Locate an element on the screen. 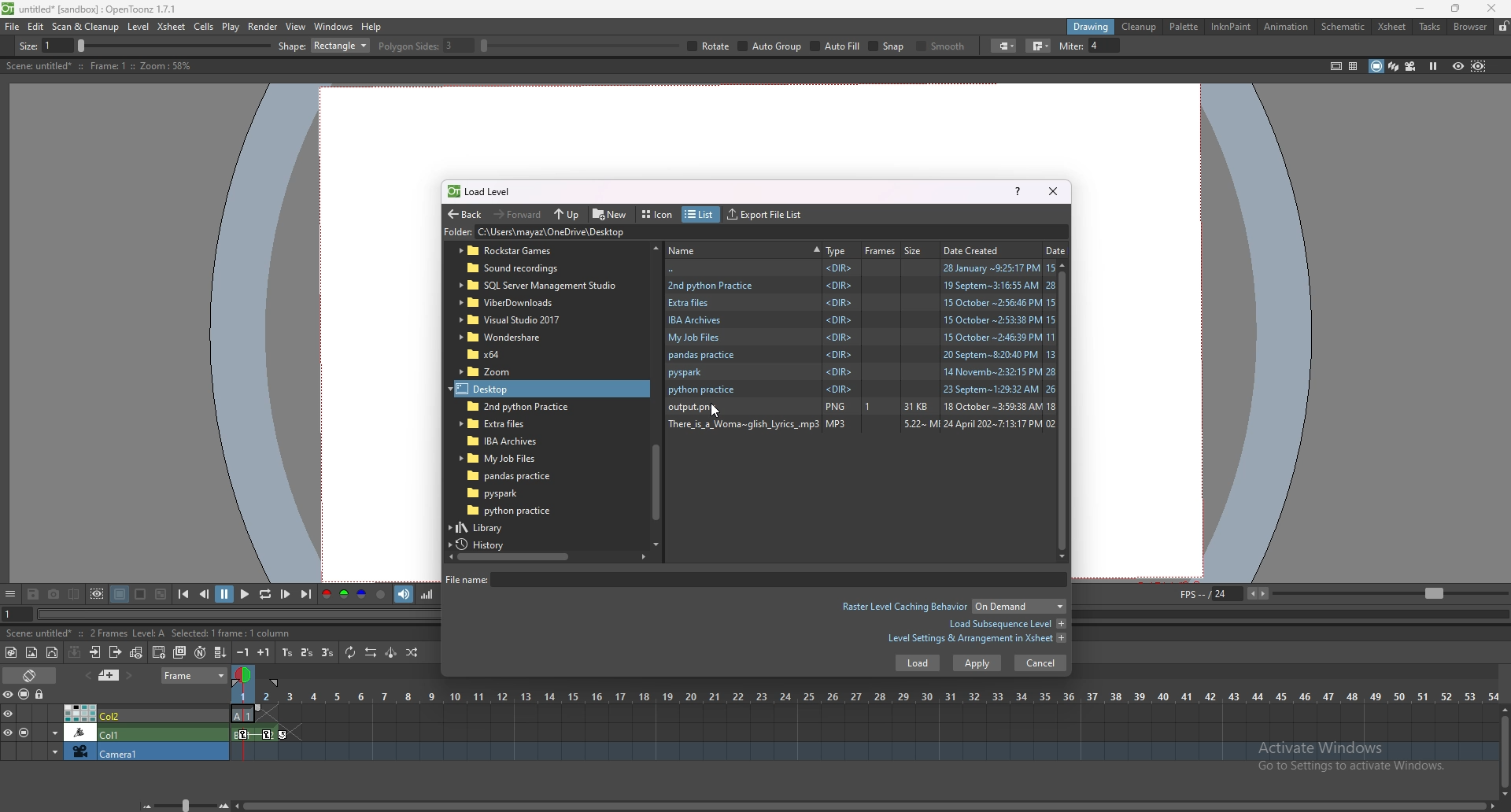 The image size is (1511, 812). histogram is located at coordinates (427, 594).